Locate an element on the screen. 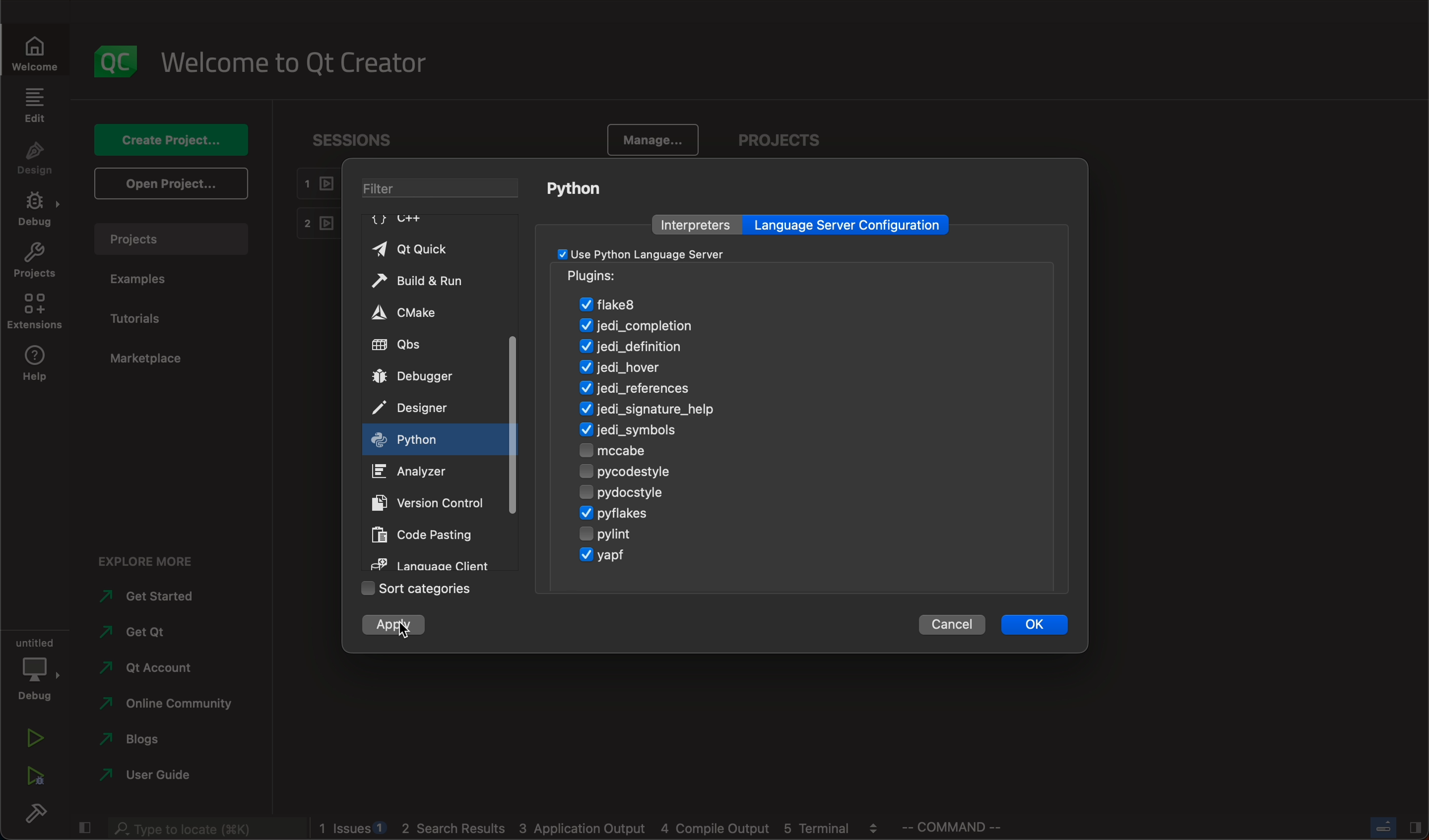  code  is located at coordinates (428, 532).